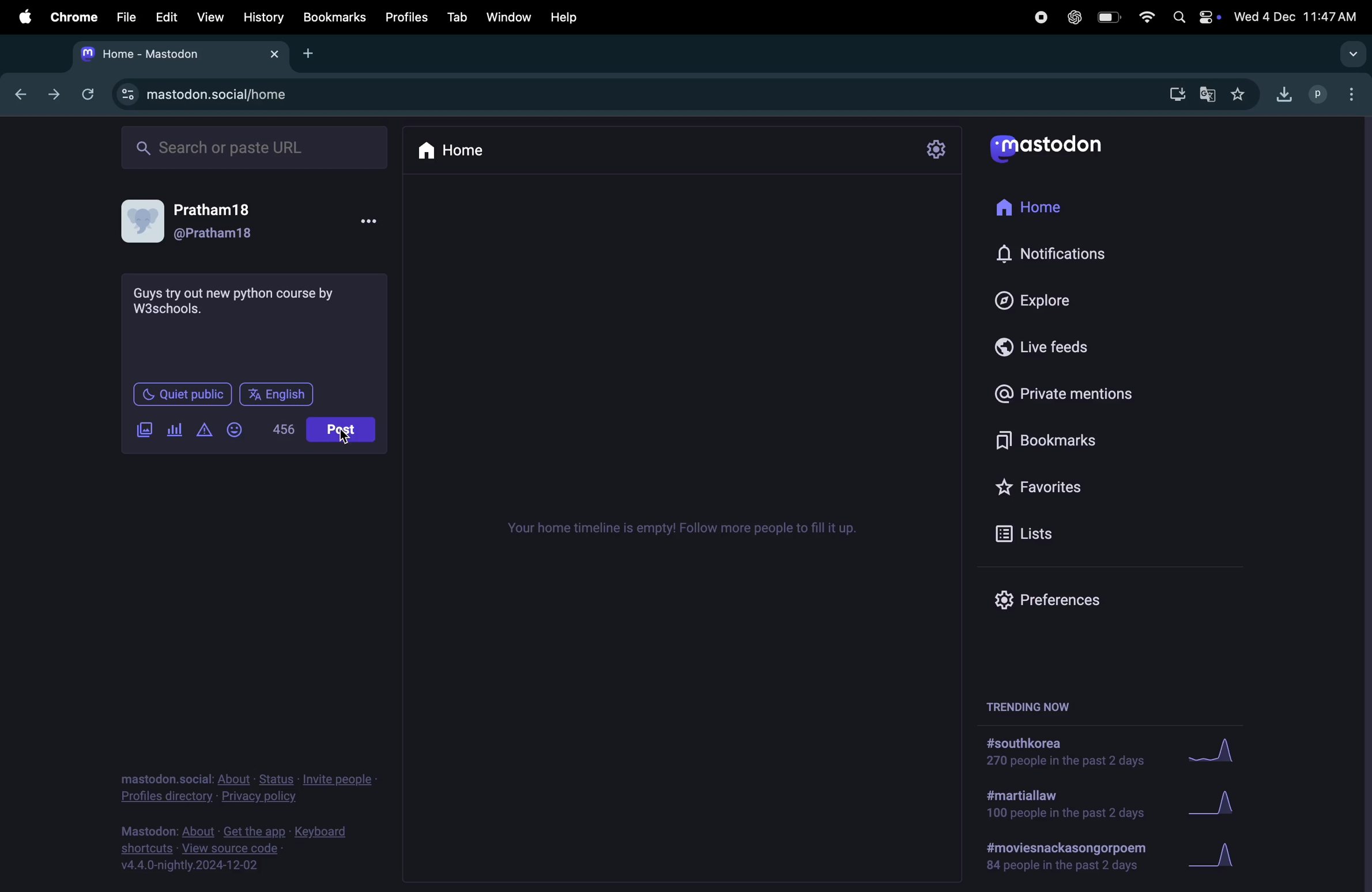 This screenshot has width=1372, height=892. I want to click on #martiallaw, so click(1063, 807).